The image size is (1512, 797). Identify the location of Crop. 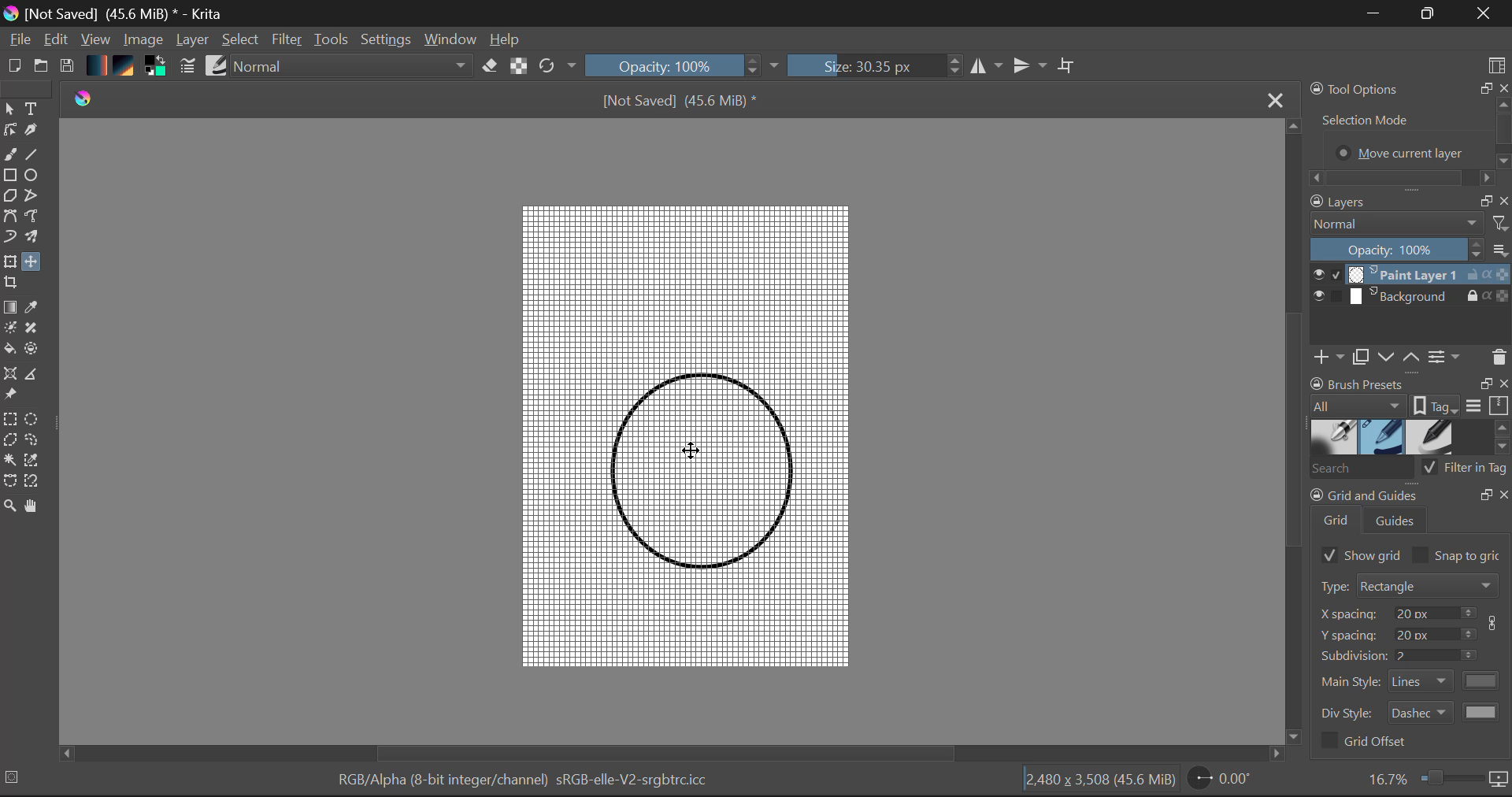
(13, 284).